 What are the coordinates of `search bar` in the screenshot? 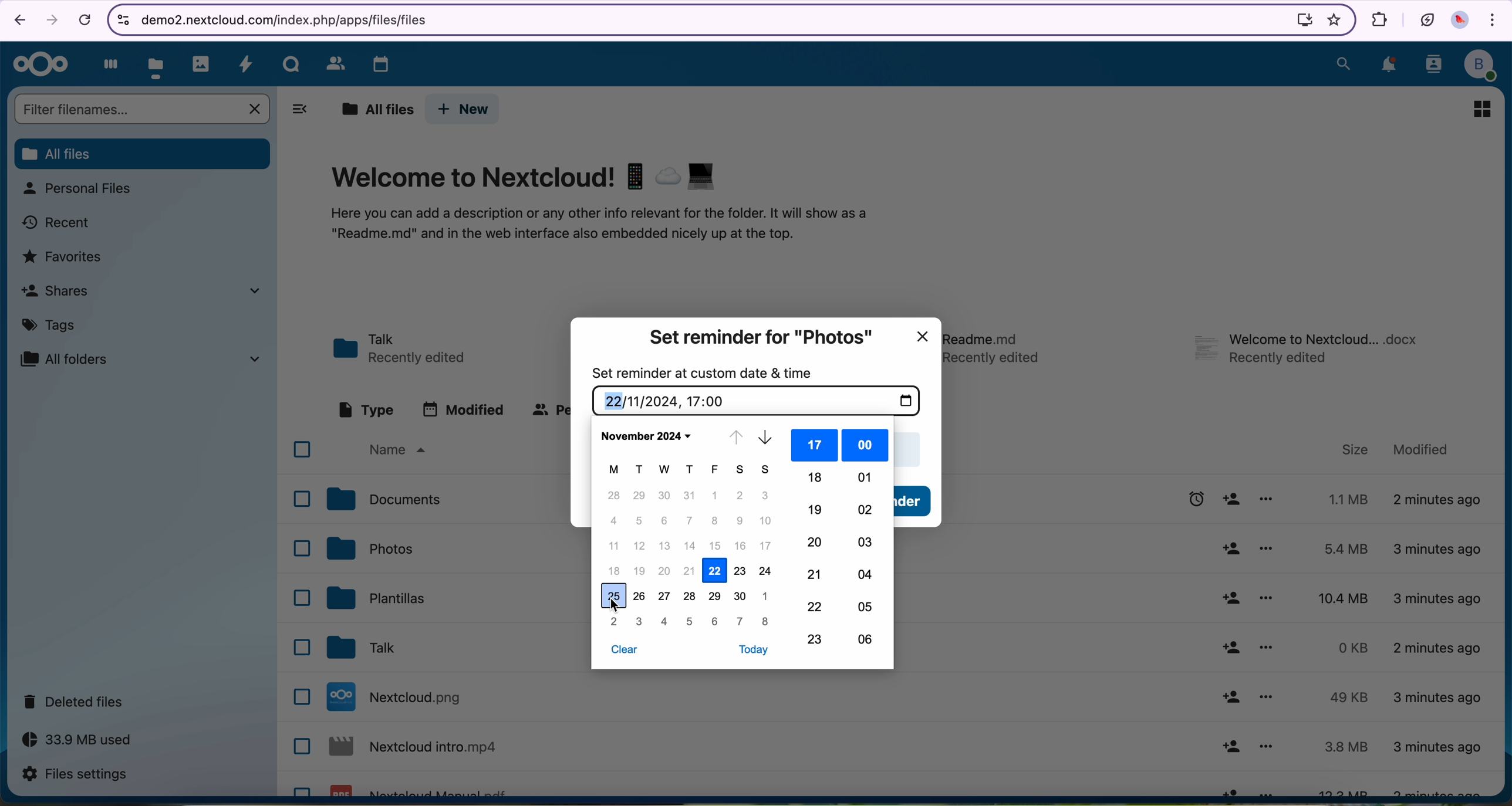 It's located at (140, 108).